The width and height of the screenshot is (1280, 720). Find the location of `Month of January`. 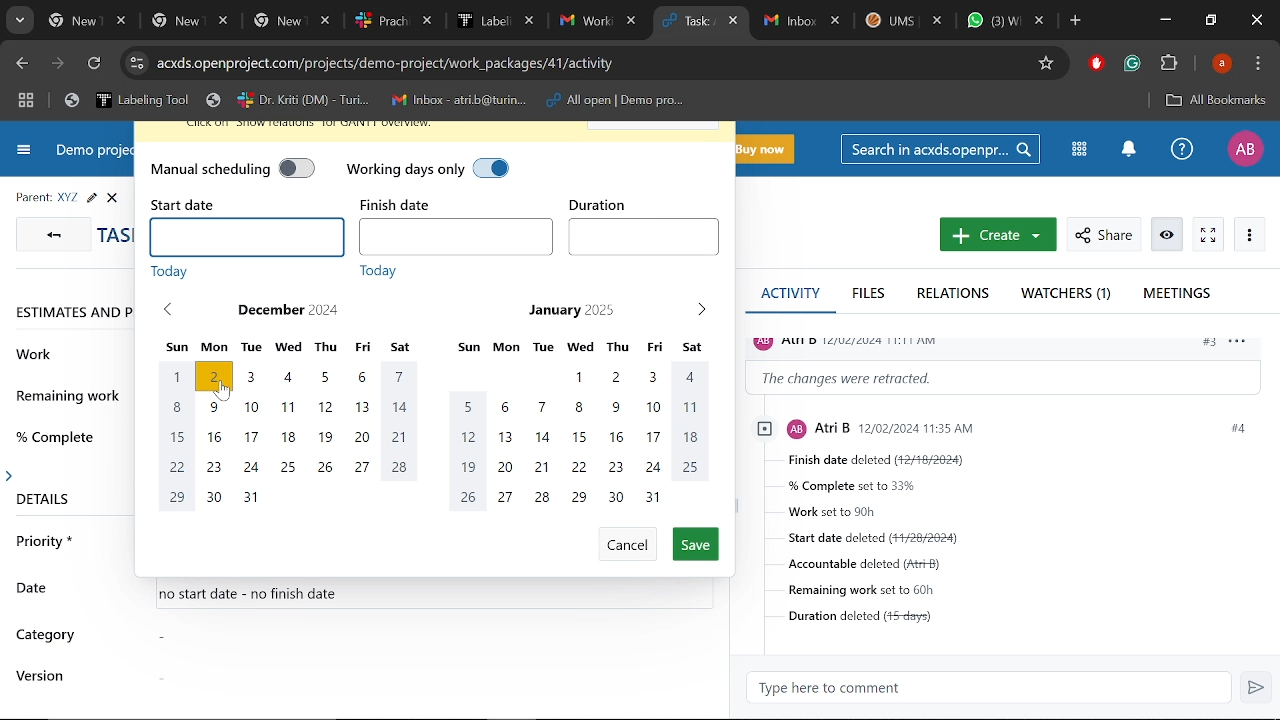

Month of January is located at coordinates (583, 418).